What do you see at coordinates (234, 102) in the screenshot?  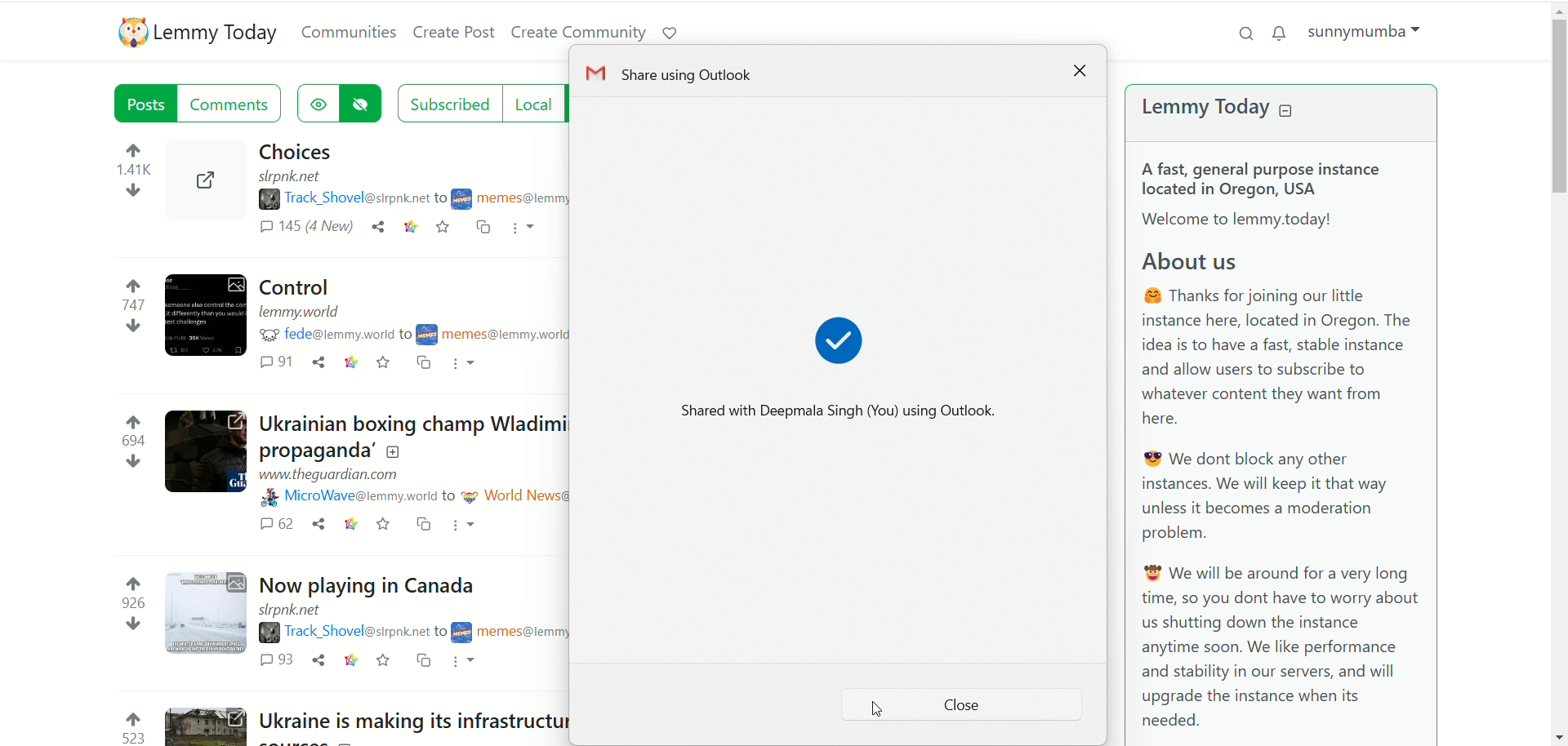 I see `comments` at bounding box center [234, 102].